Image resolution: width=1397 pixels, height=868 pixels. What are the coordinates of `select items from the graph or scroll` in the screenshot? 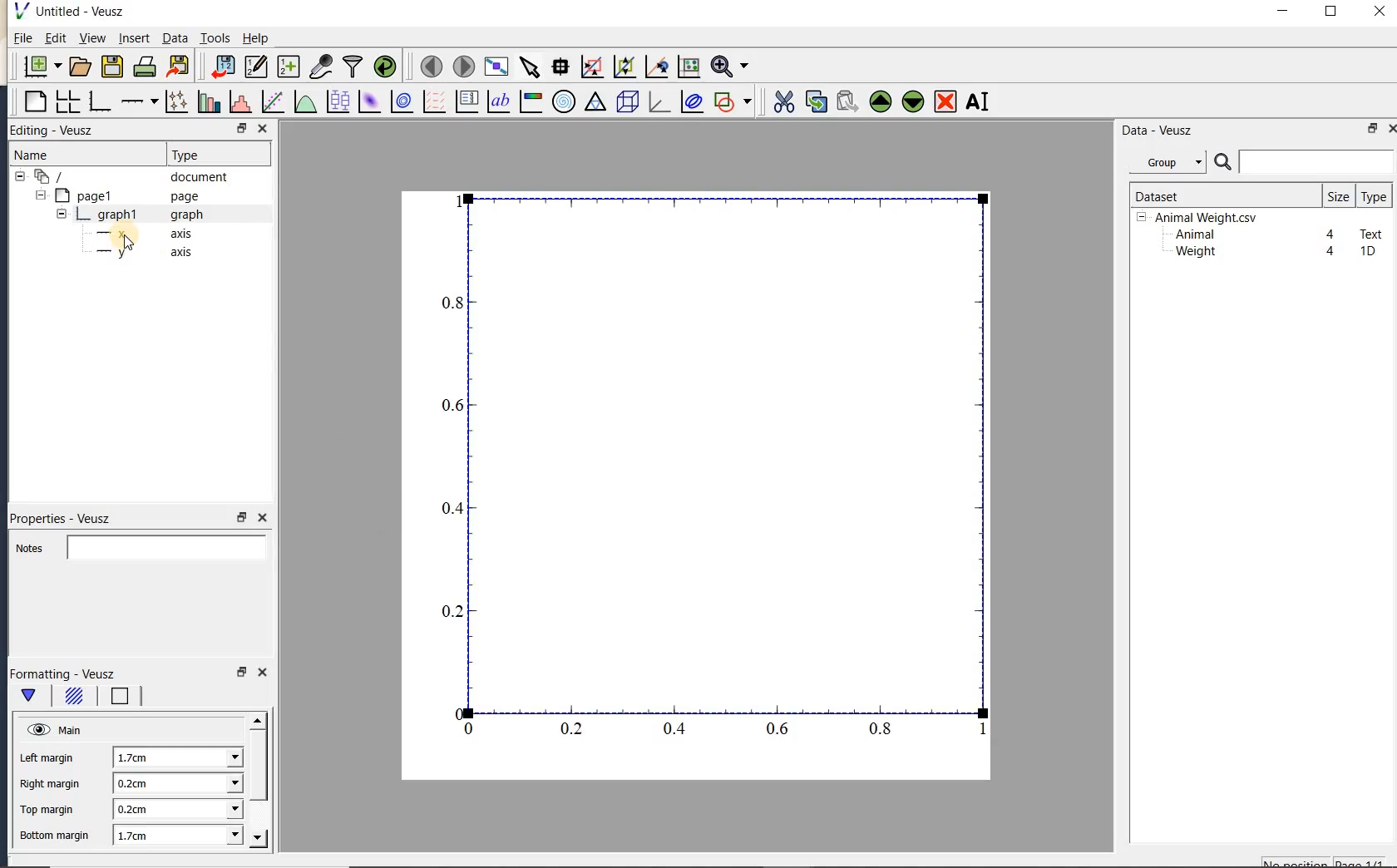 It's located at (531, 67).